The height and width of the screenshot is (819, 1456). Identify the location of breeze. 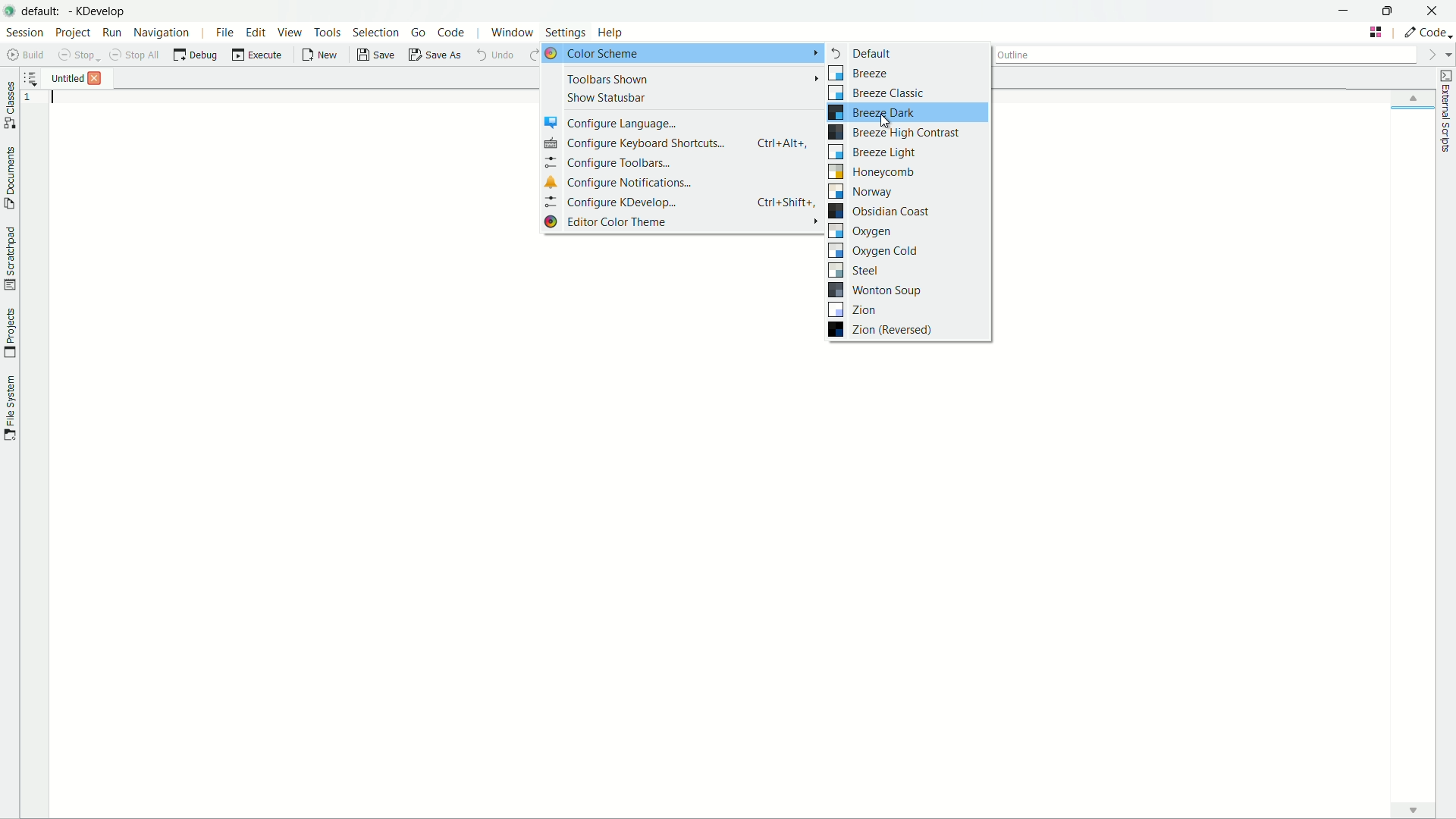
(857, 73).